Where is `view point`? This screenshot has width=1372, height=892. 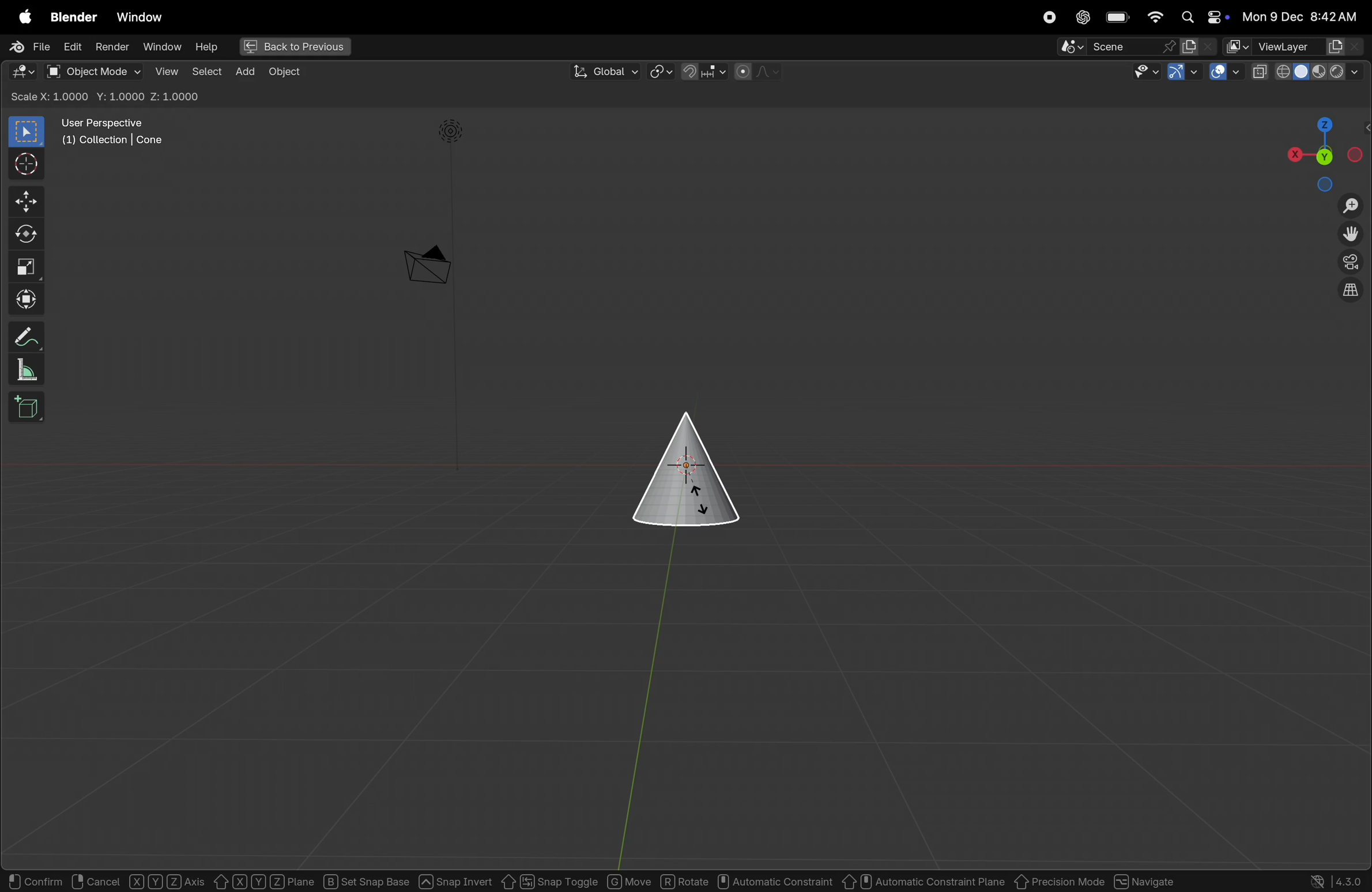 view point is located at coordinates (1319, 151).